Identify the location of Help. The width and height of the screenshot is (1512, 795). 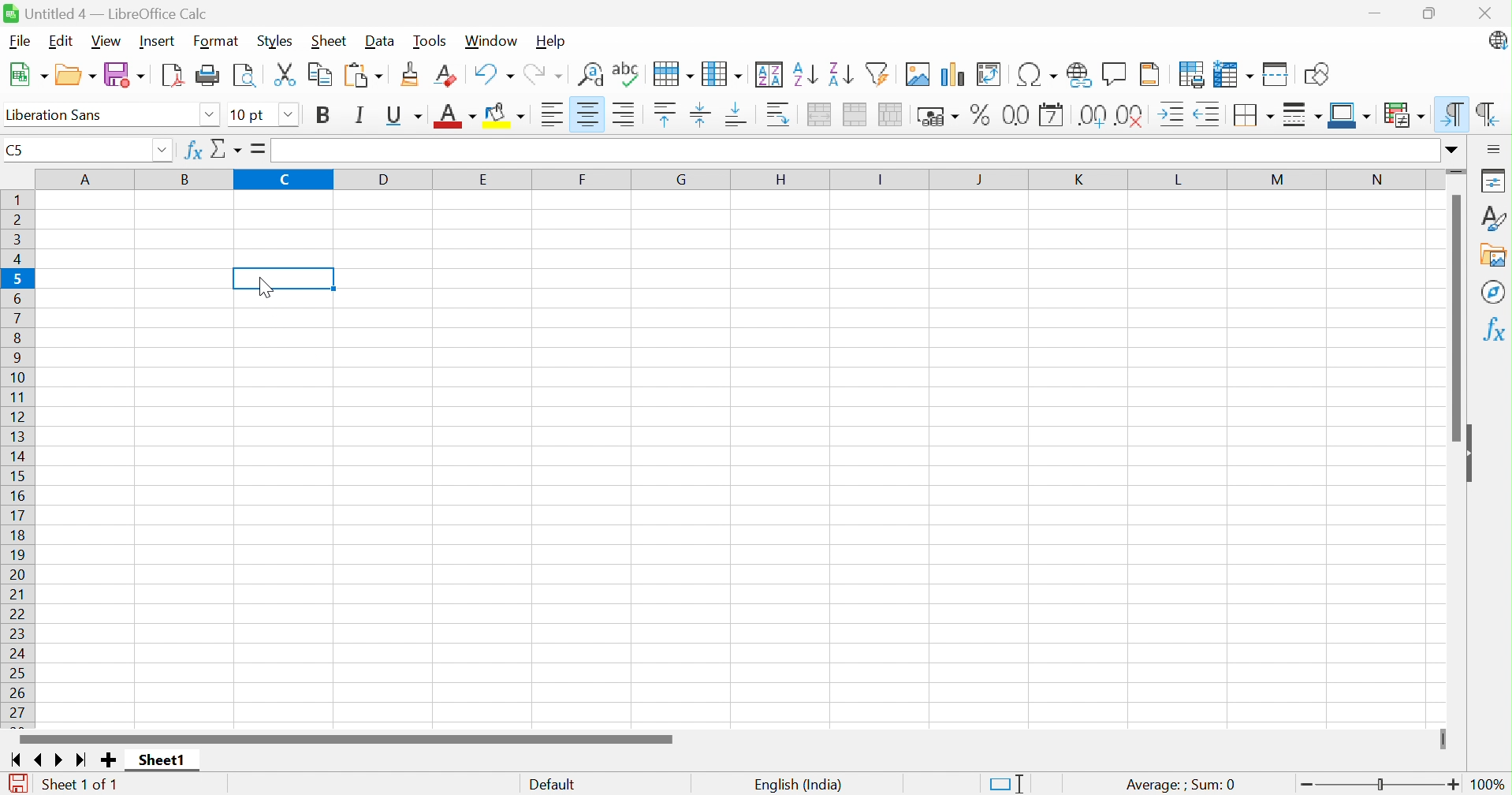
(553, 42).